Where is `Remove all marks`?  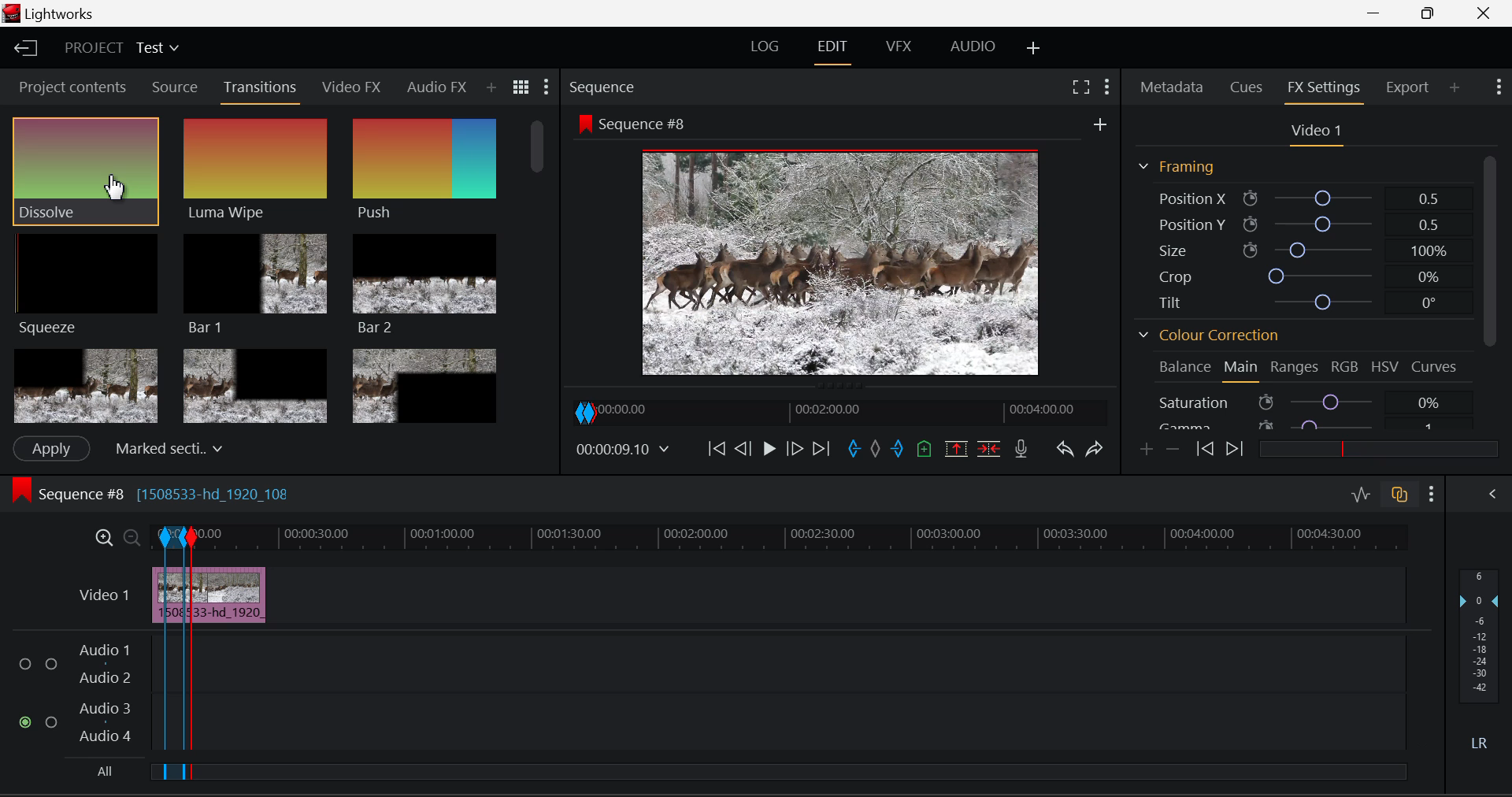
Remove all marks is located at coordinates (875, 451).